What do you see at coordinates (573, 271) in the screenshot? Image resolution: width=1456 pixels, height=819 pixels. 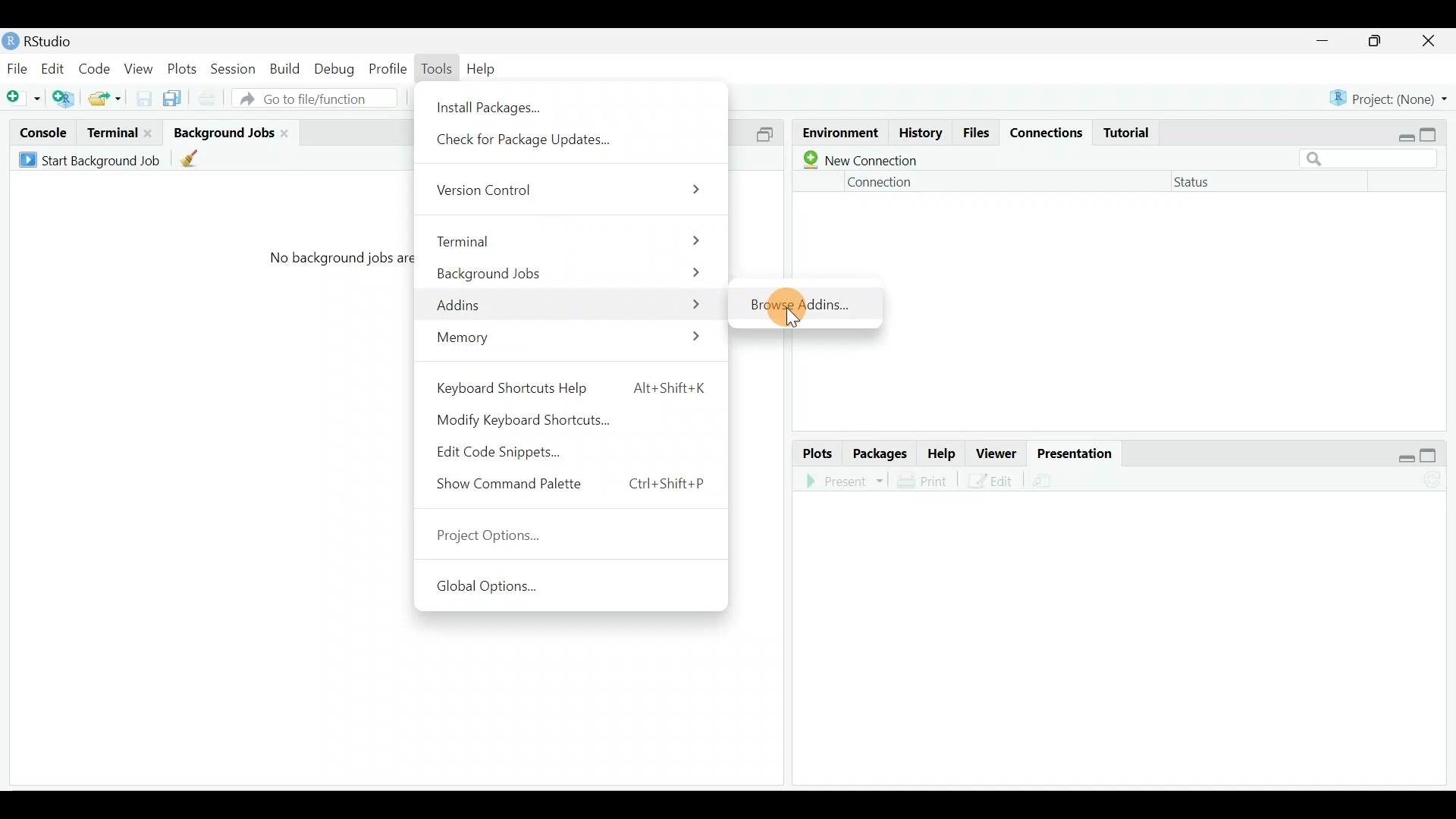 I see `Background Jobs >` at bounding box center [573, 271].